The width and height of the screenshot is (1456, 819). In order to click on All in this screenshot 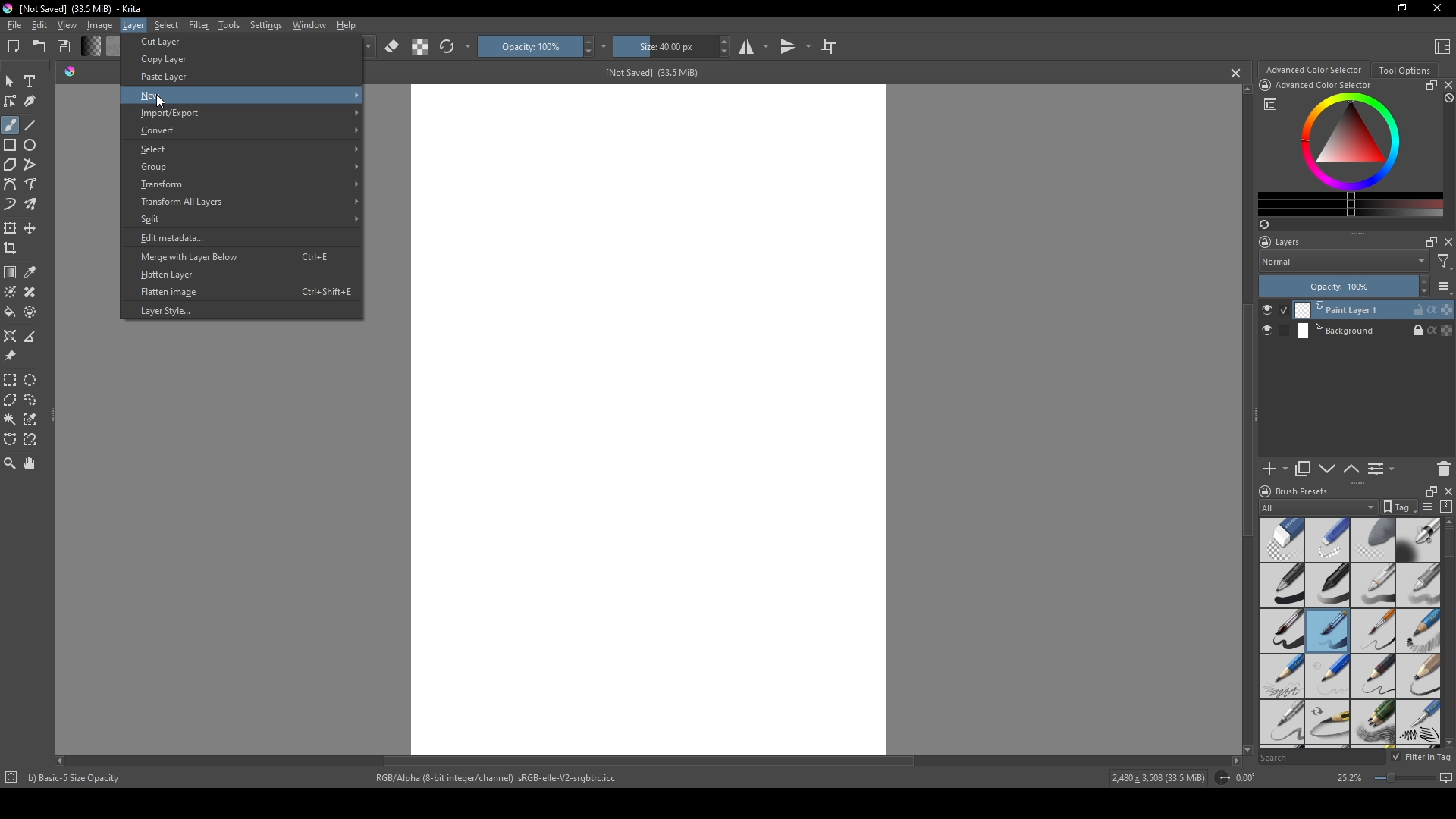, I will do `click(1318, 507)`.